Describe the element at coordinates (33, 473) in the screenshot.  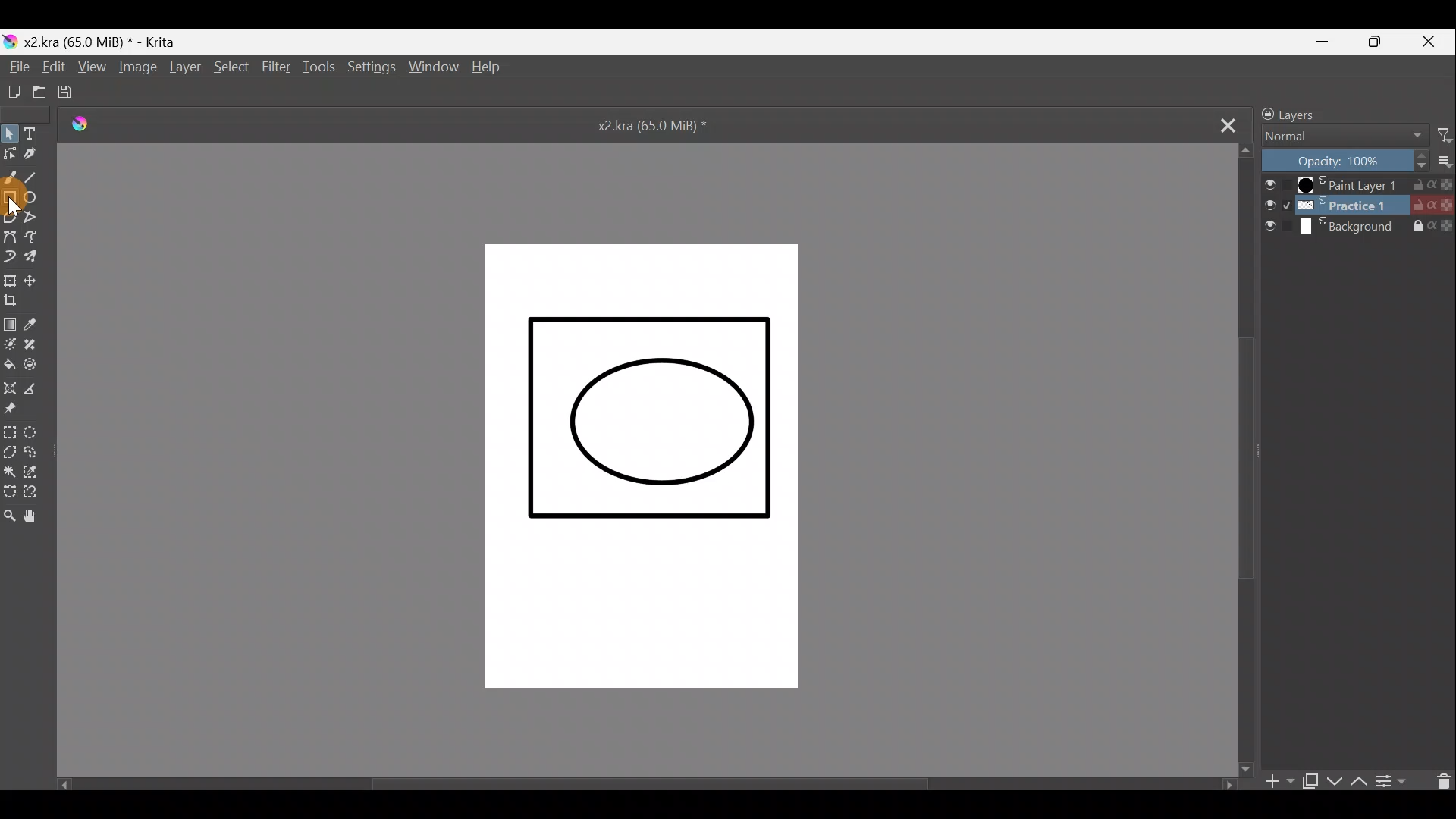
I see `Similar colour selection tool` at that location.